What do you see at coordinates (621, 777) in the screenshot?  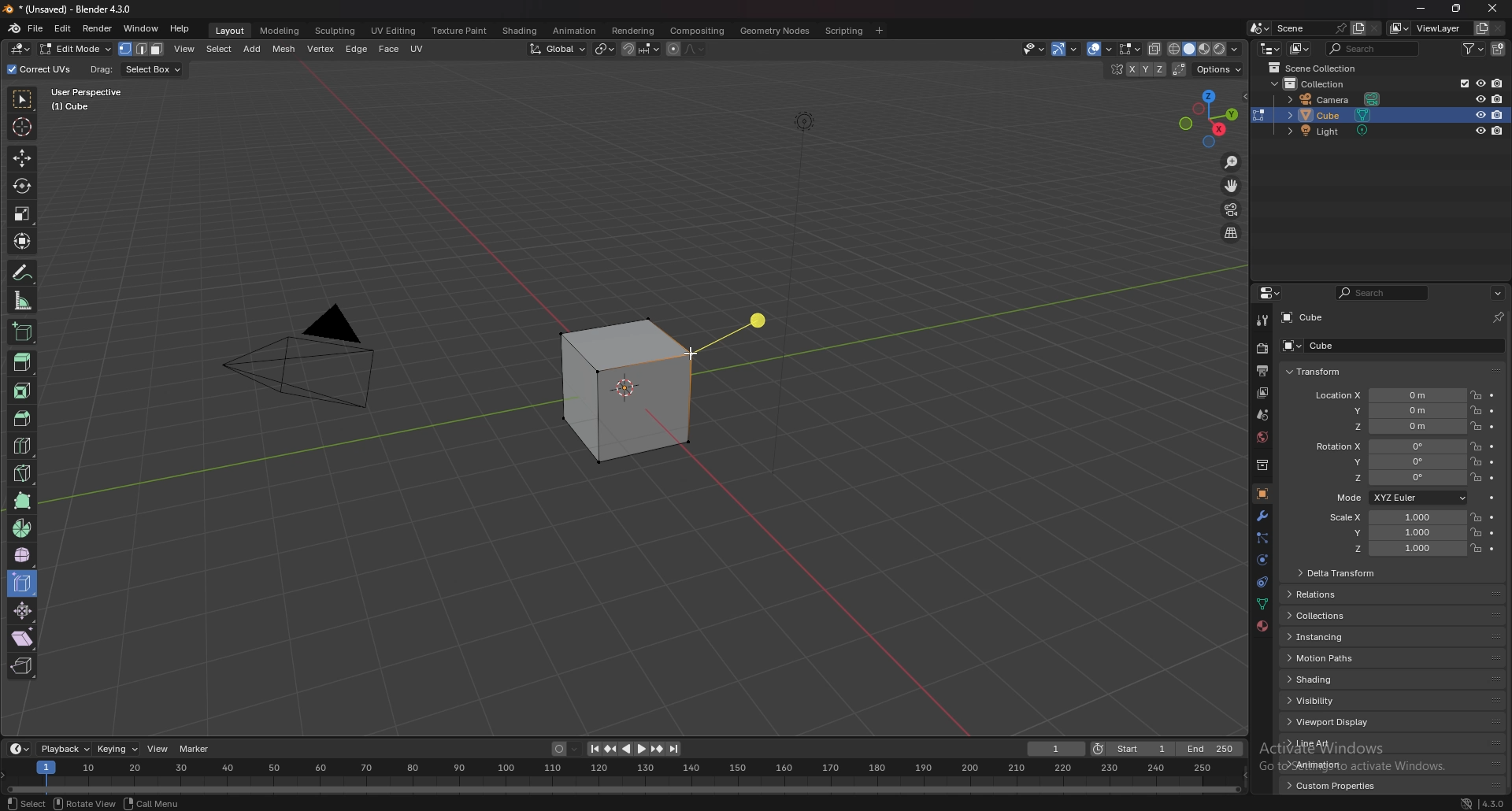 I see `seek` at bounding box center [621, 777].